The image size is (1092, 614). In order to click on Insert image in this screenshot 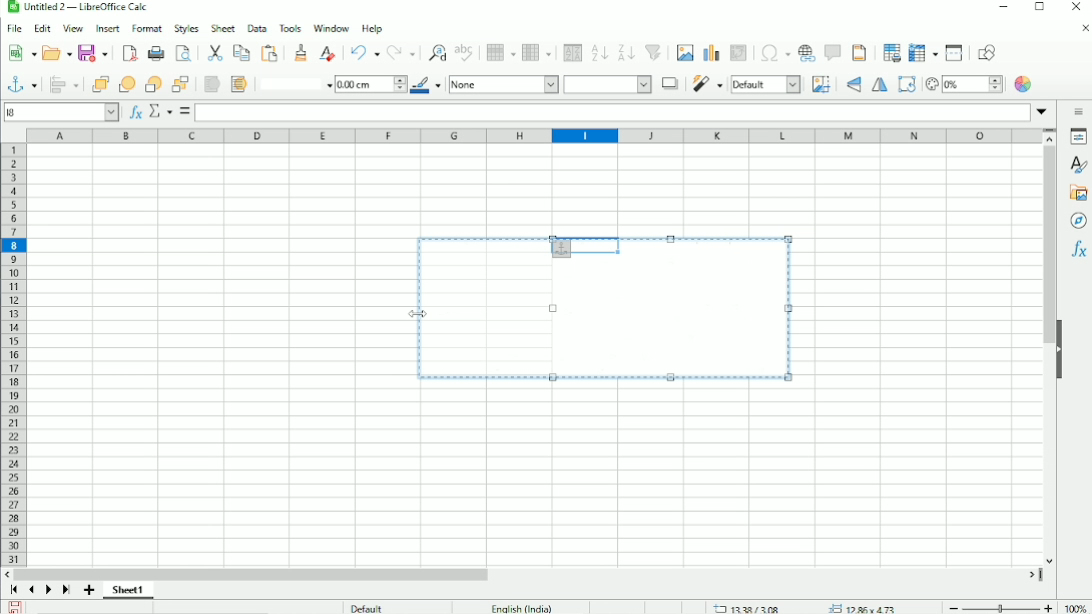, I will do `click(684, 53)`.